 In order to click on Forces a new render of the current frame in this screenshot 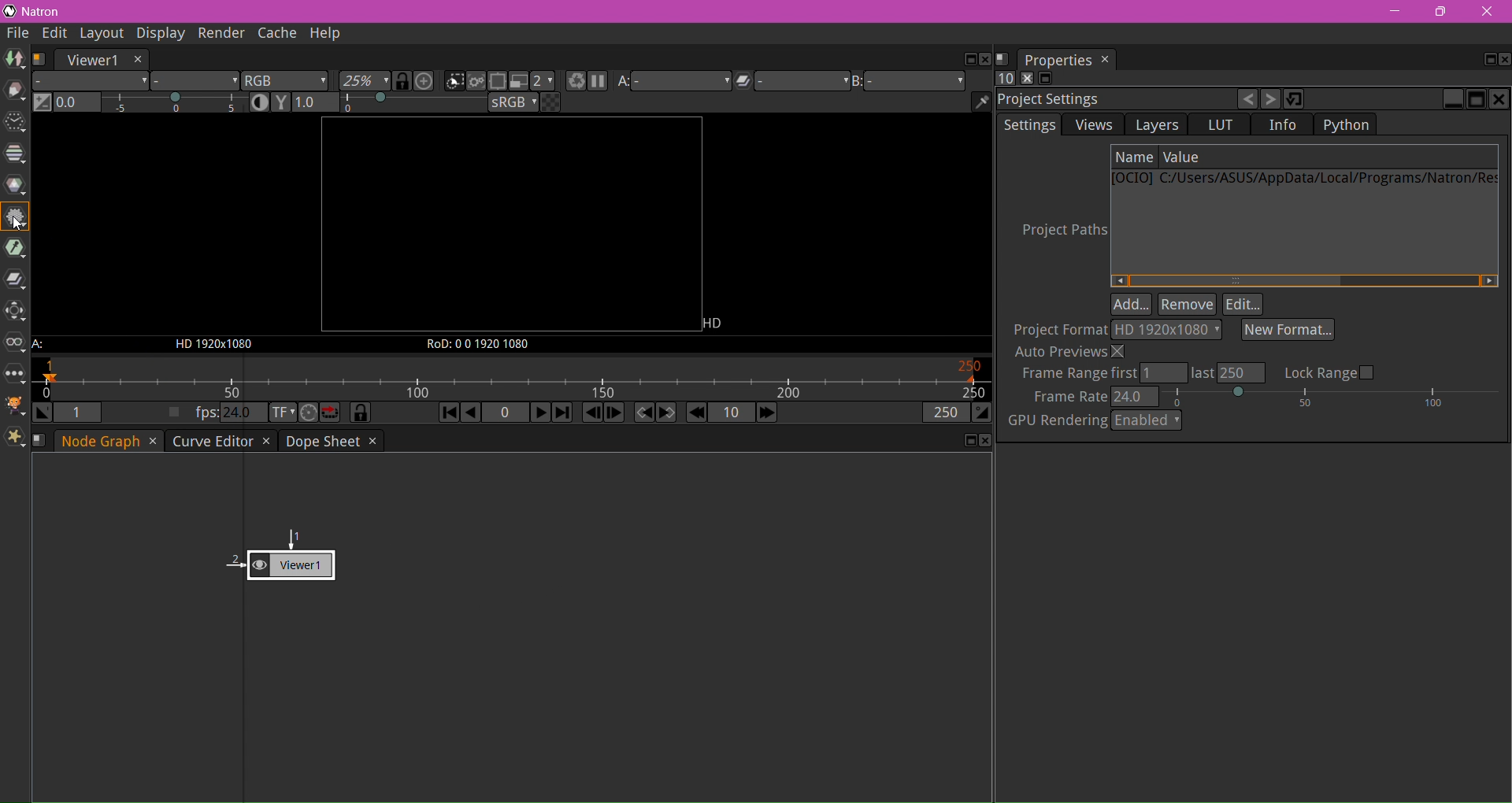, I will do `click(573, 83)`.